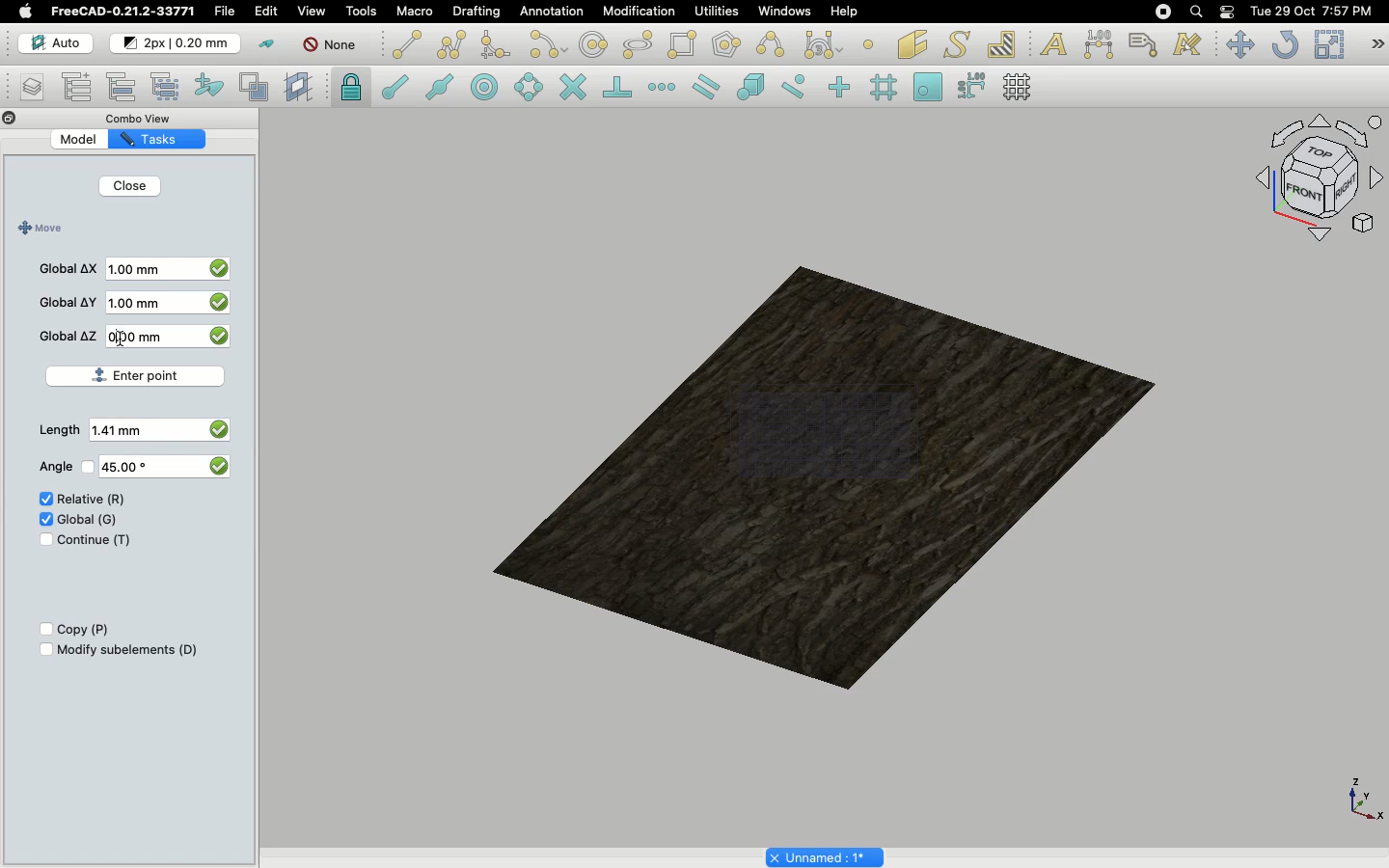 This screenshot has height=868, width=1389. What do you see at coordinates (928, 89) in the screenshot?
I see `Snap working plane` at bounding box center [928, 89].